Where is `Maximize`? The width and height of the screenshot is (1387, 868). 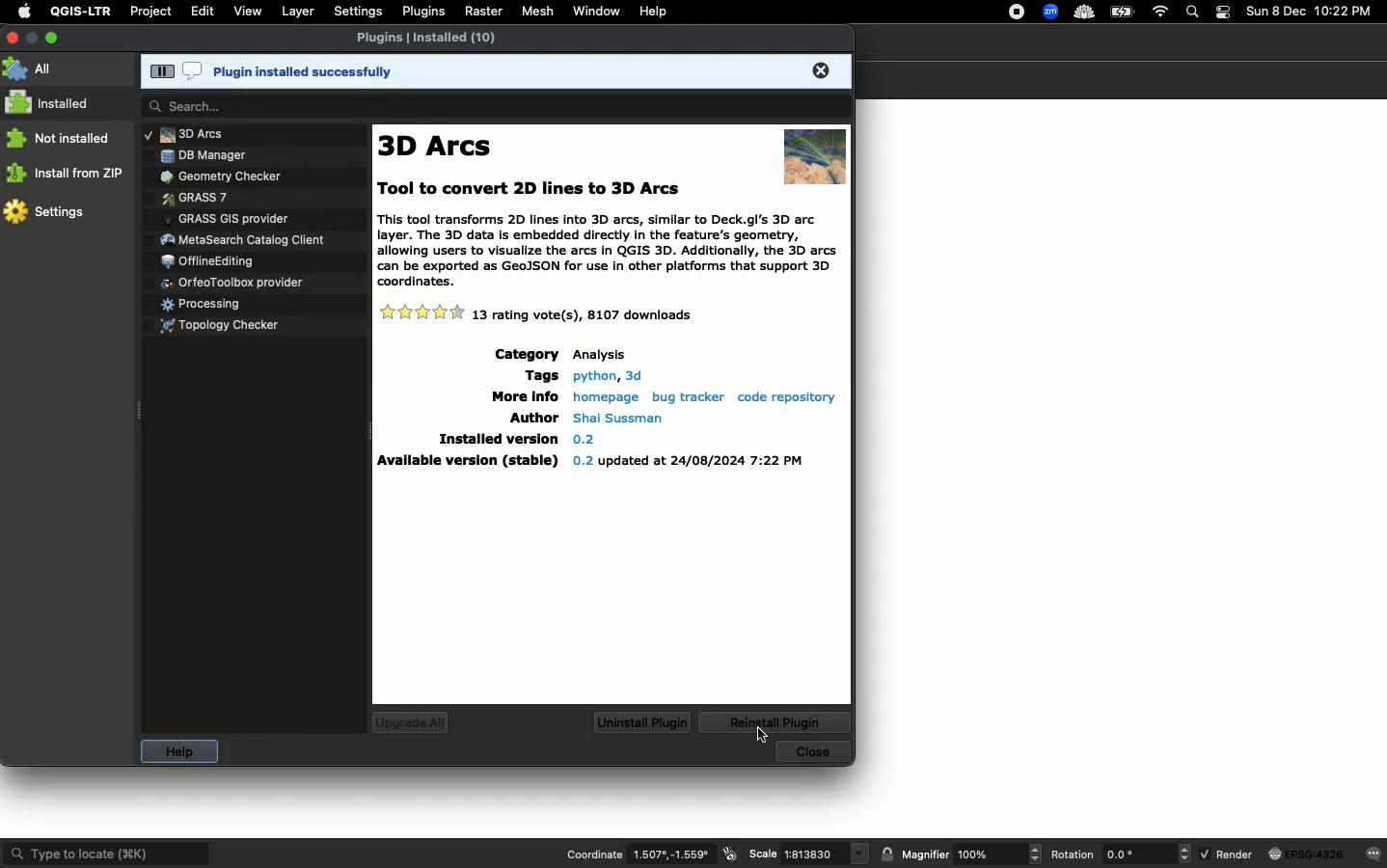
Maximize is located at coordinates (51, 38).